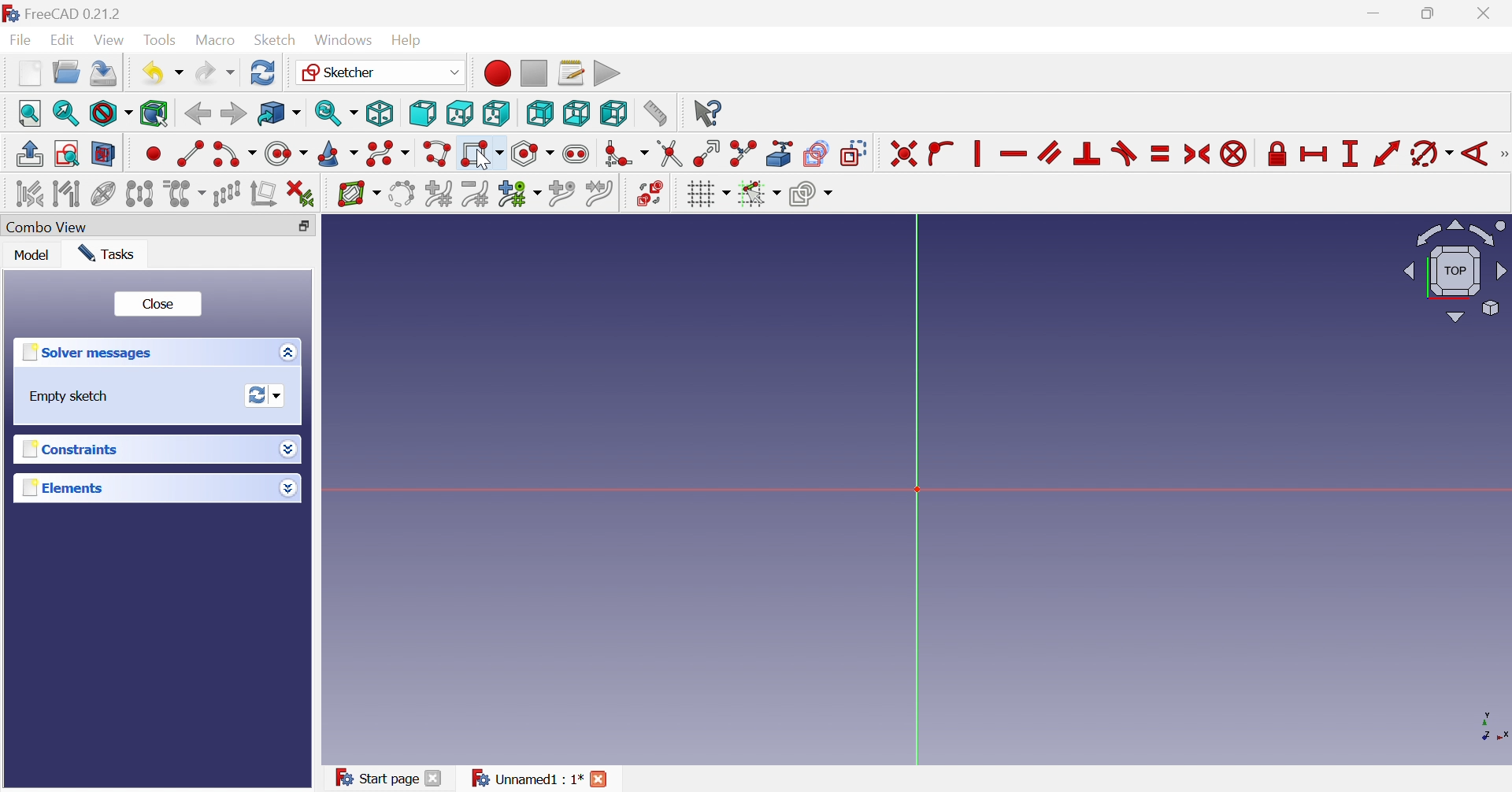  Describe the element at coordinates (69, 196) in the screenshot. I see `Select associated geometry` at that location.